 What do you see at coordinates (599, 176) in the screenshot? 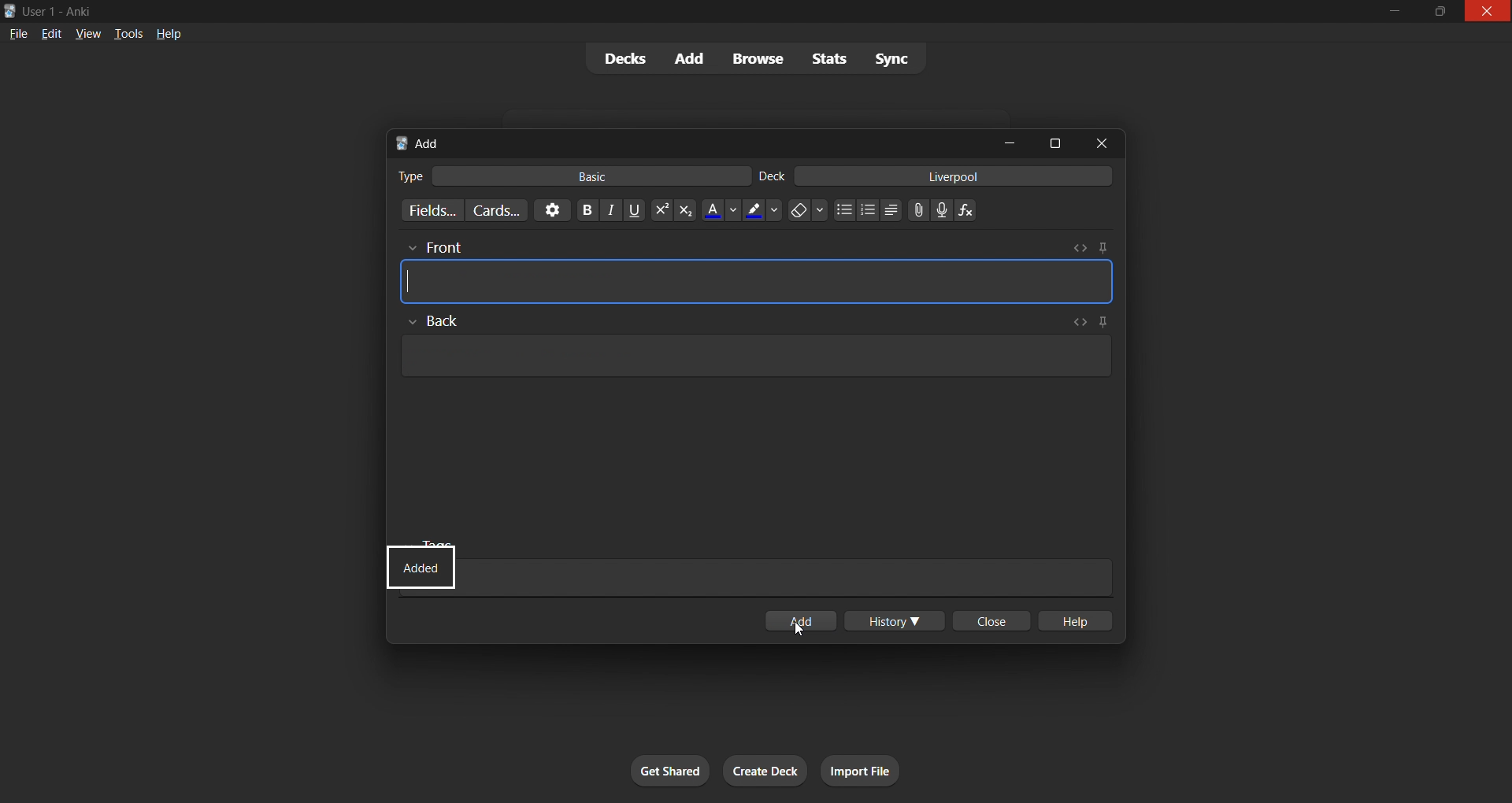
I see `basic card type` at bounding box center [599, 176].